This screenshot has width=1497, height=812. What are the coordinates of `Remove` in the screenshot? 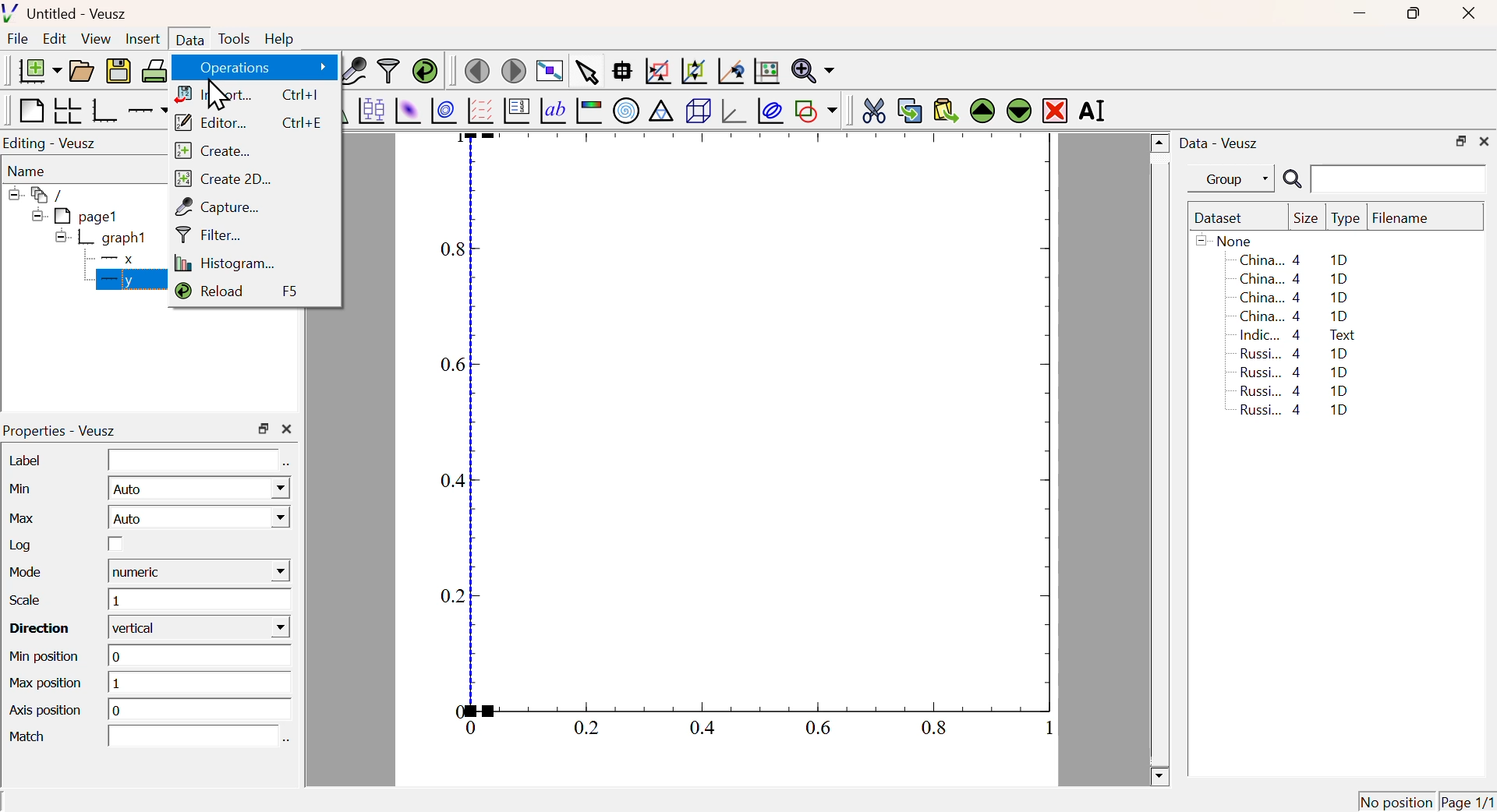 It's located at (1056, 111).